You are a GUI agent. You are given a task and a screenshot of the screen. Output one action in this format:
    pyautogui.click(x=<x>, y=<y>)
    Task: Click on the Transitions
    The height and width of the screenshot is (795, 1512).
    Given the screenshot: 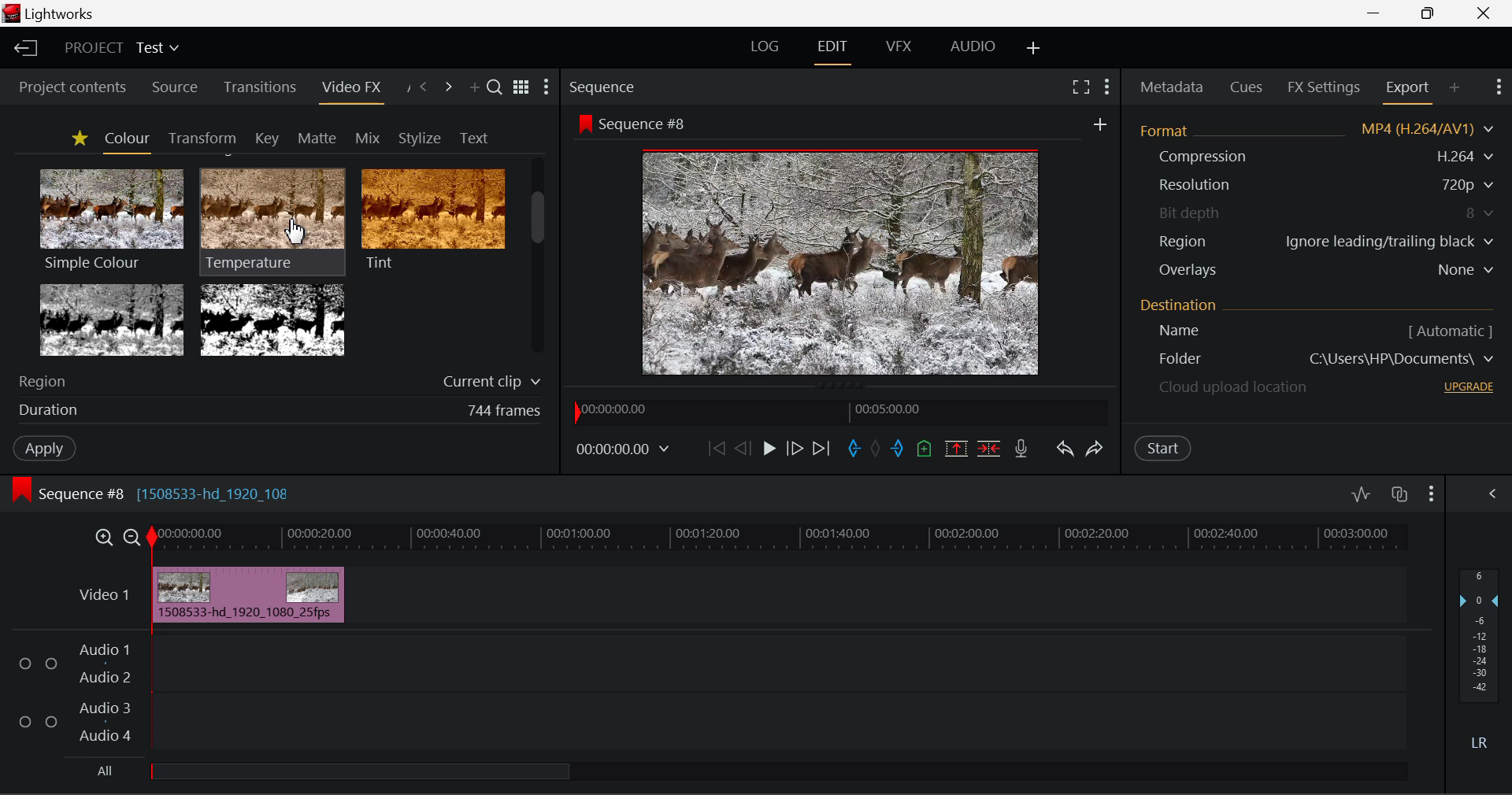 What is the action you would take?
    pyautogui.click(x=258, y=87)
    